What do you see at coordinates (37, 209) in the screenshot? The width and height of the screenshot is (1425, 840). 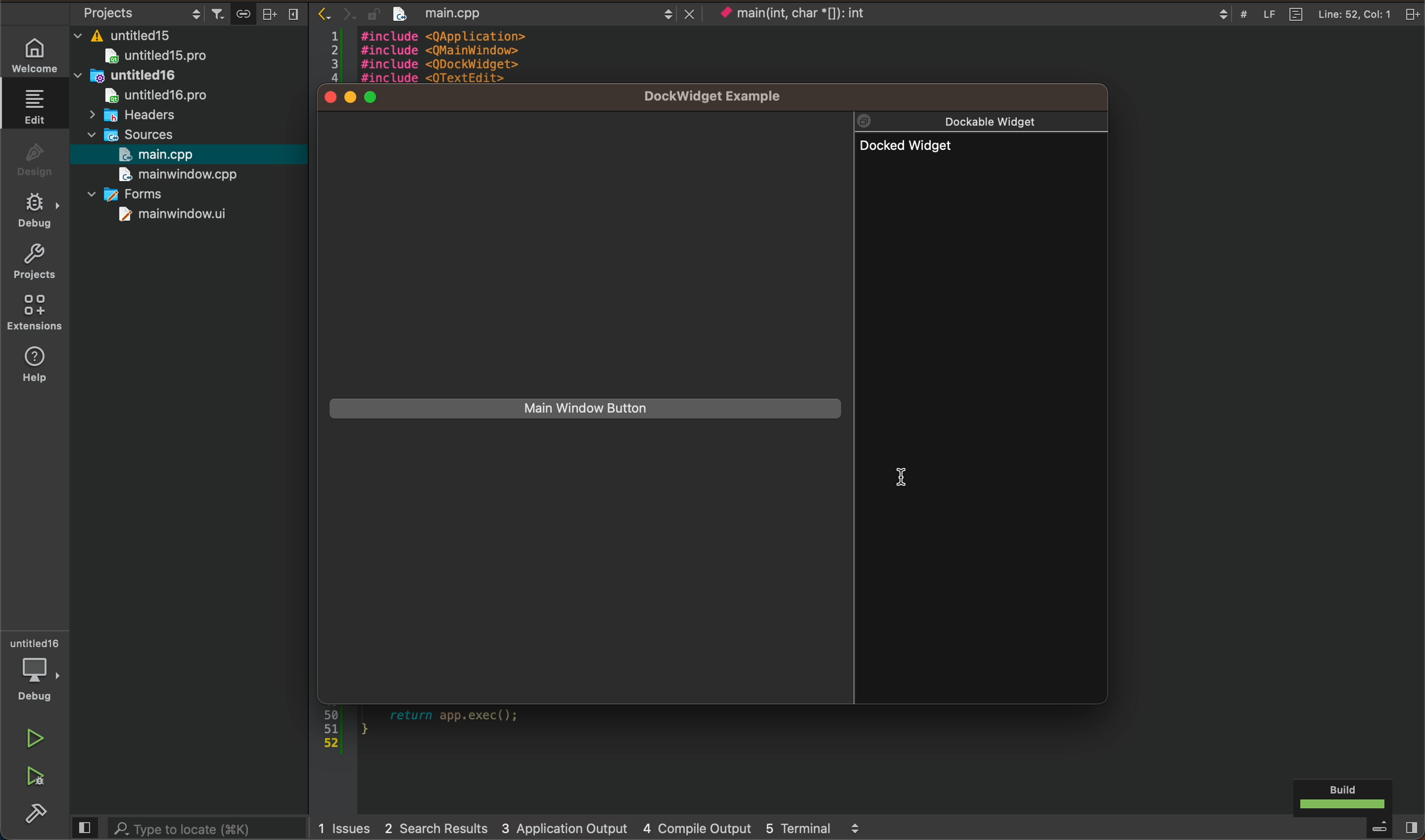 I see `debug` at bounding box center [37, 209].